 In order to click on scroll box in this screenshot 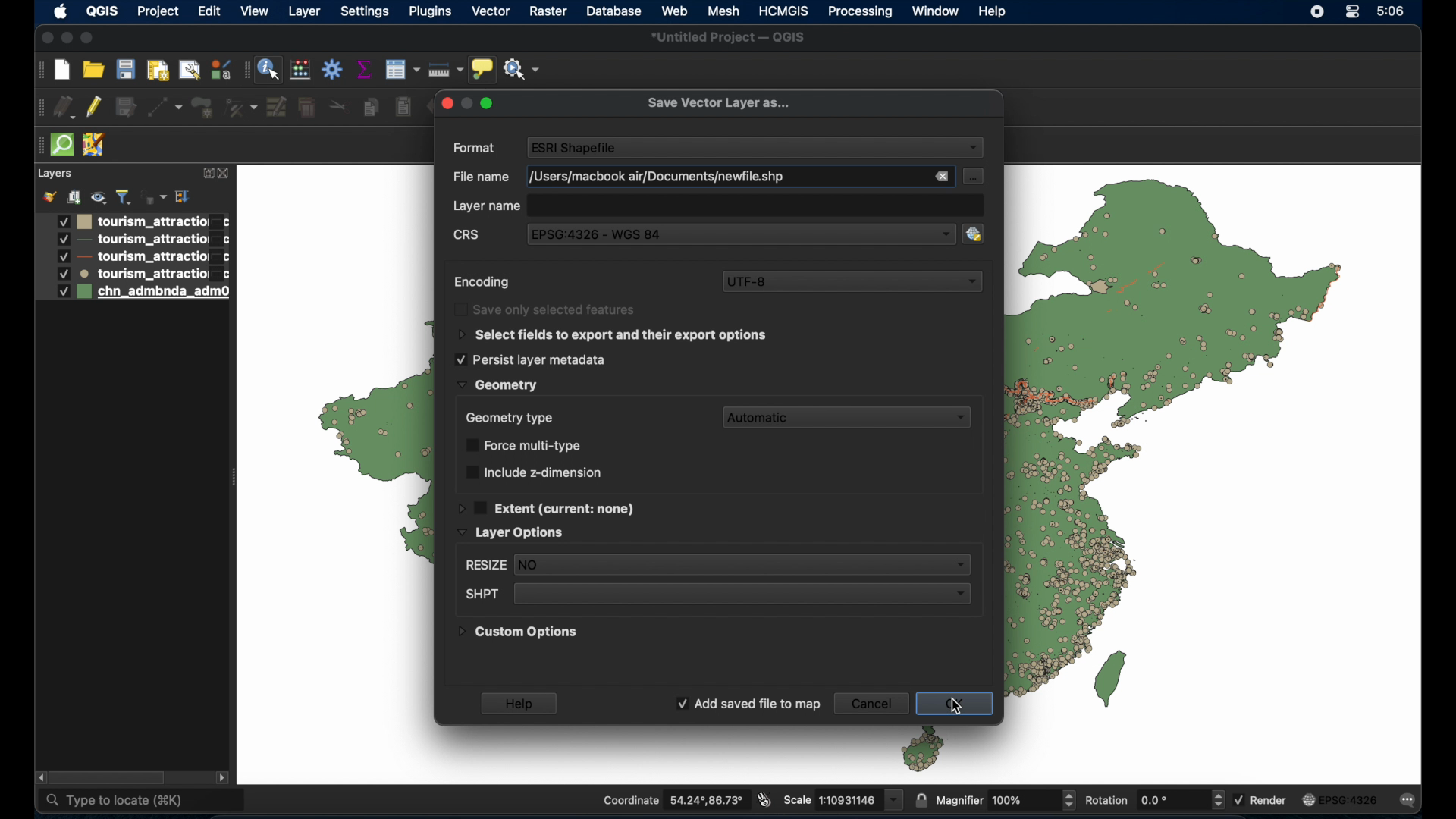, I will do `click(109, 777)`.